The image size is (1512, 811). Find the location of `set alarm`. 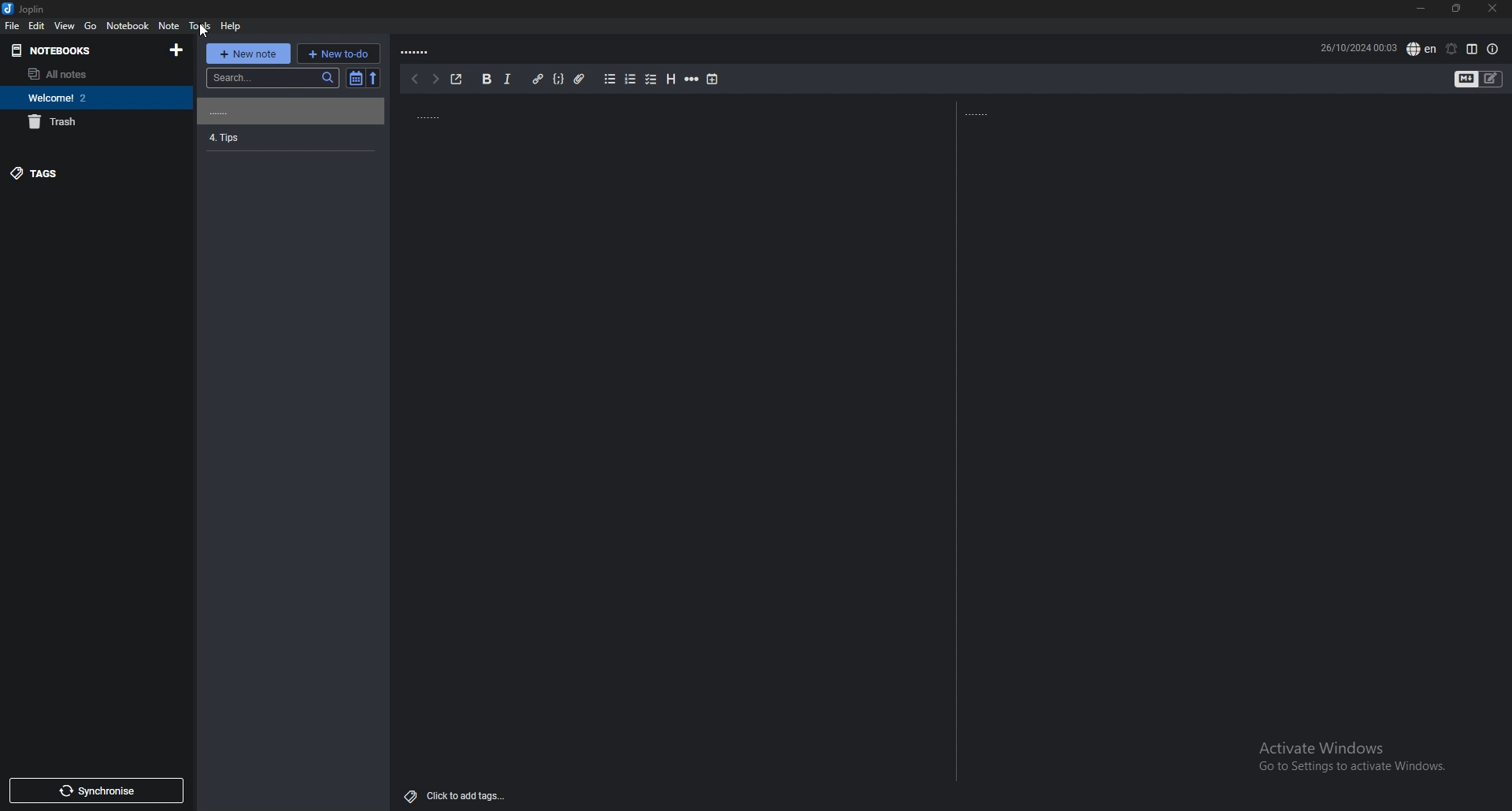

set alarm is located at coordinates (1453, 49).